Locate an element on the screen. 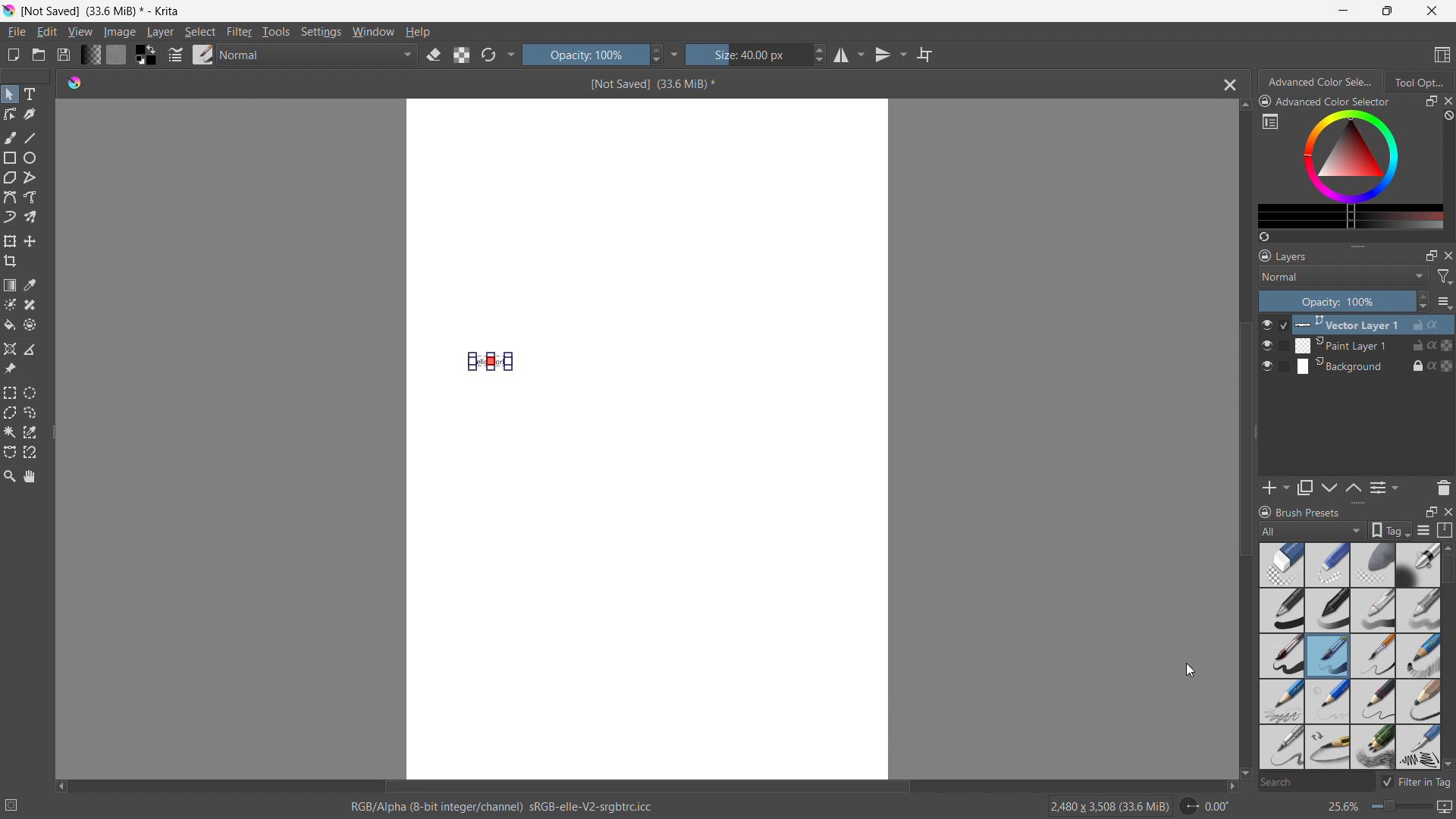 The image size is (1456, 819). contigious selection tool is located at coordinates (10, 432).